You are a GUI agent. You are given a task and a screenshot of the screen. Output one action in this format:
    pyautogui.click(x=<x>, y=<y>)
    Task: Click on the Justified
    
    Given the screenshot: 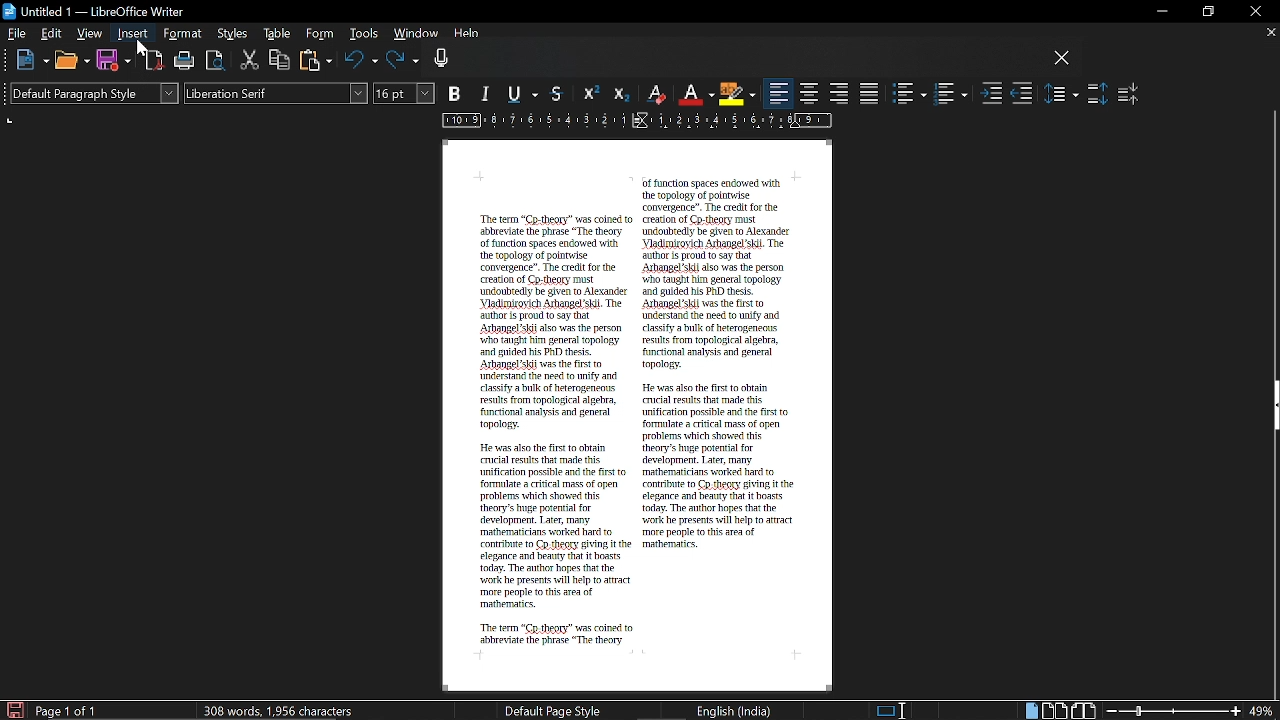 What is the action you would take?
    pyautogui.click(x=870, y=93)
    